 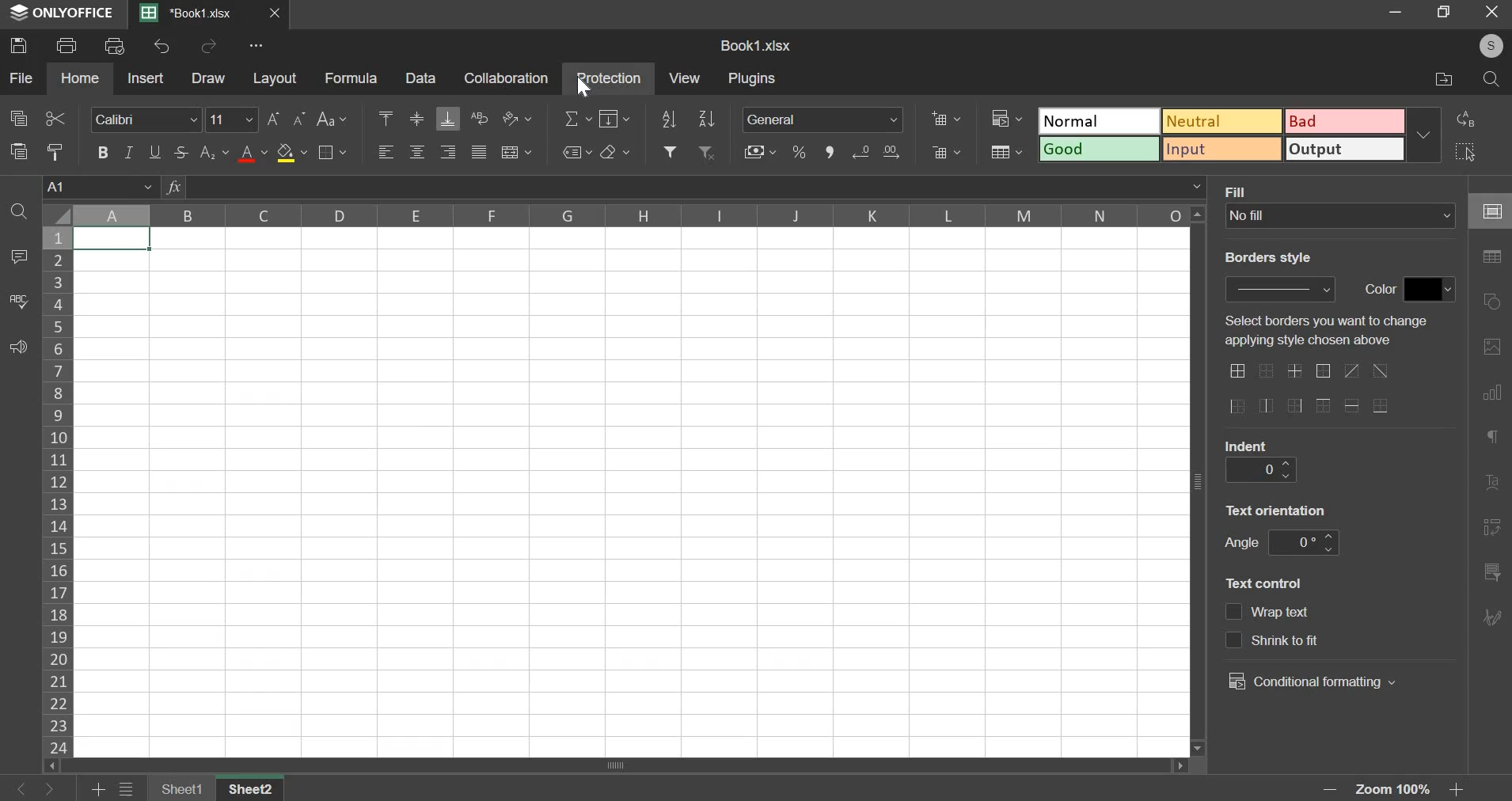 I want to click on wrap text, so click(x=481, y=118).